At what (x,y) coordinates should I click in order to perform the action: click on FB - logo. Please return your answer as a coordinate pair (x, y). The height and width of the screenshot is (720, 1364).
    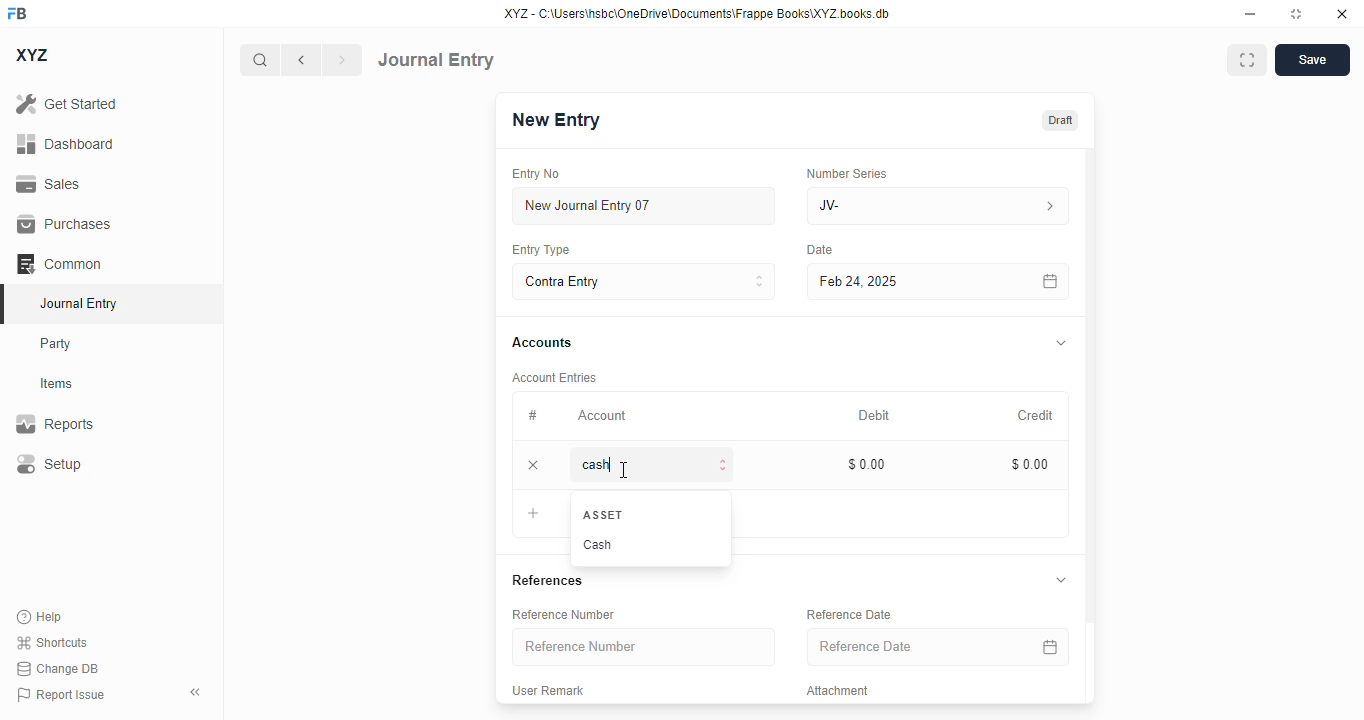
    Looking at the image, I should click on (17, 13).